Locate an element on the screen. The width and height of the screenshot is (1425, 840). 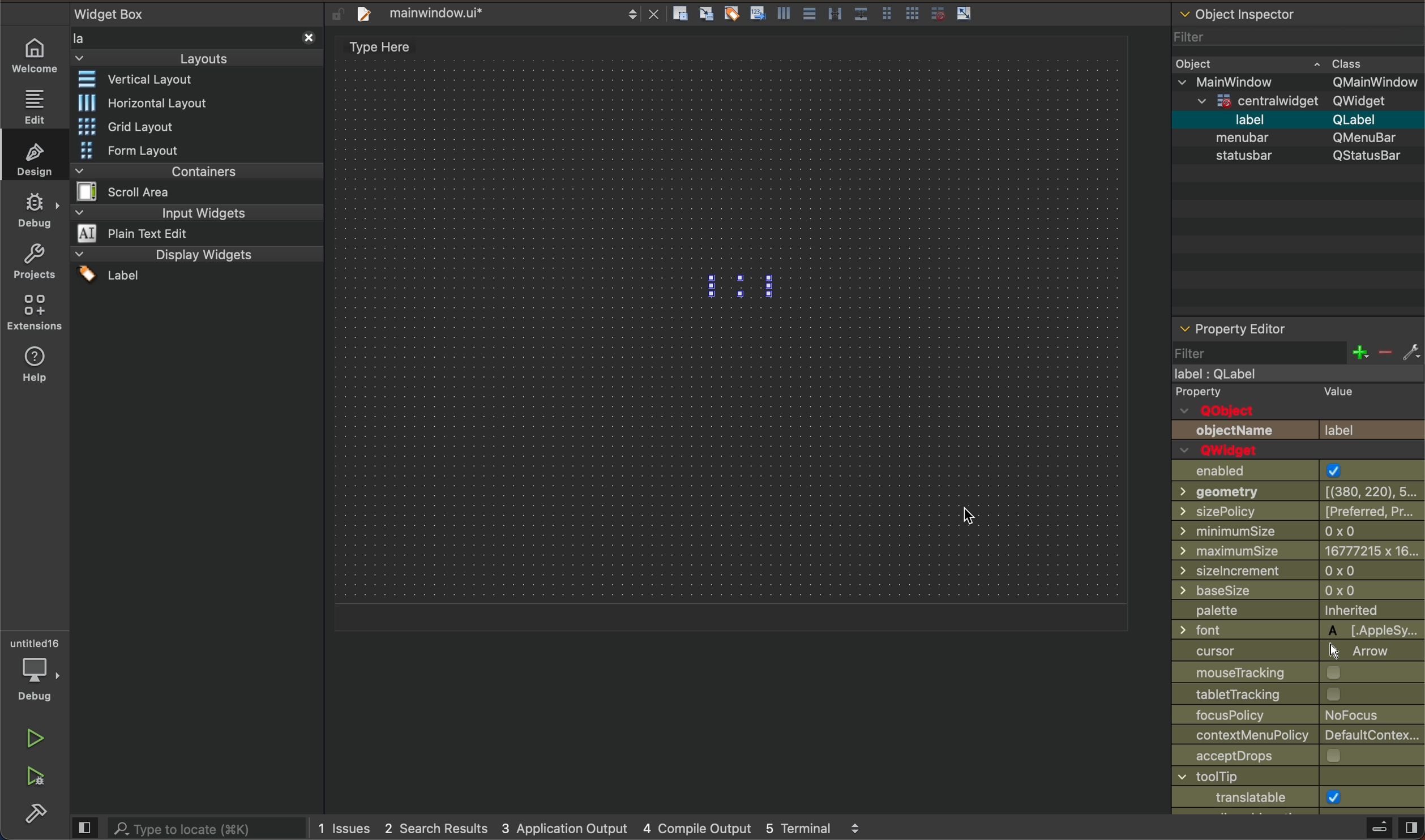
5 terminal is located at coordinates (827, 827).